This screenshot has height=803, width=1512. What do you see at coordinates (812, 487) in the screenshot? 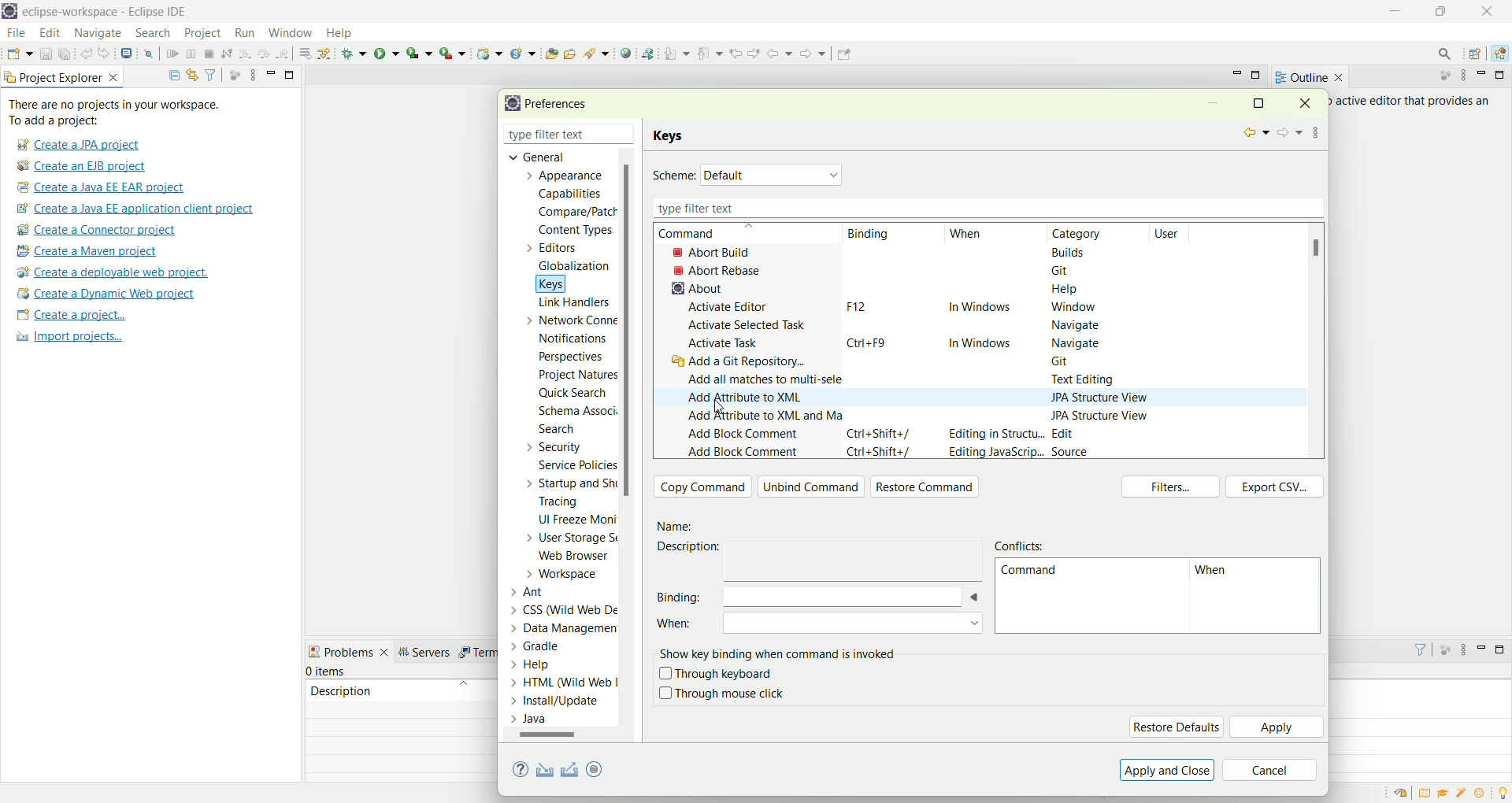
I see `unbind command` at bounding box center [812, 487].